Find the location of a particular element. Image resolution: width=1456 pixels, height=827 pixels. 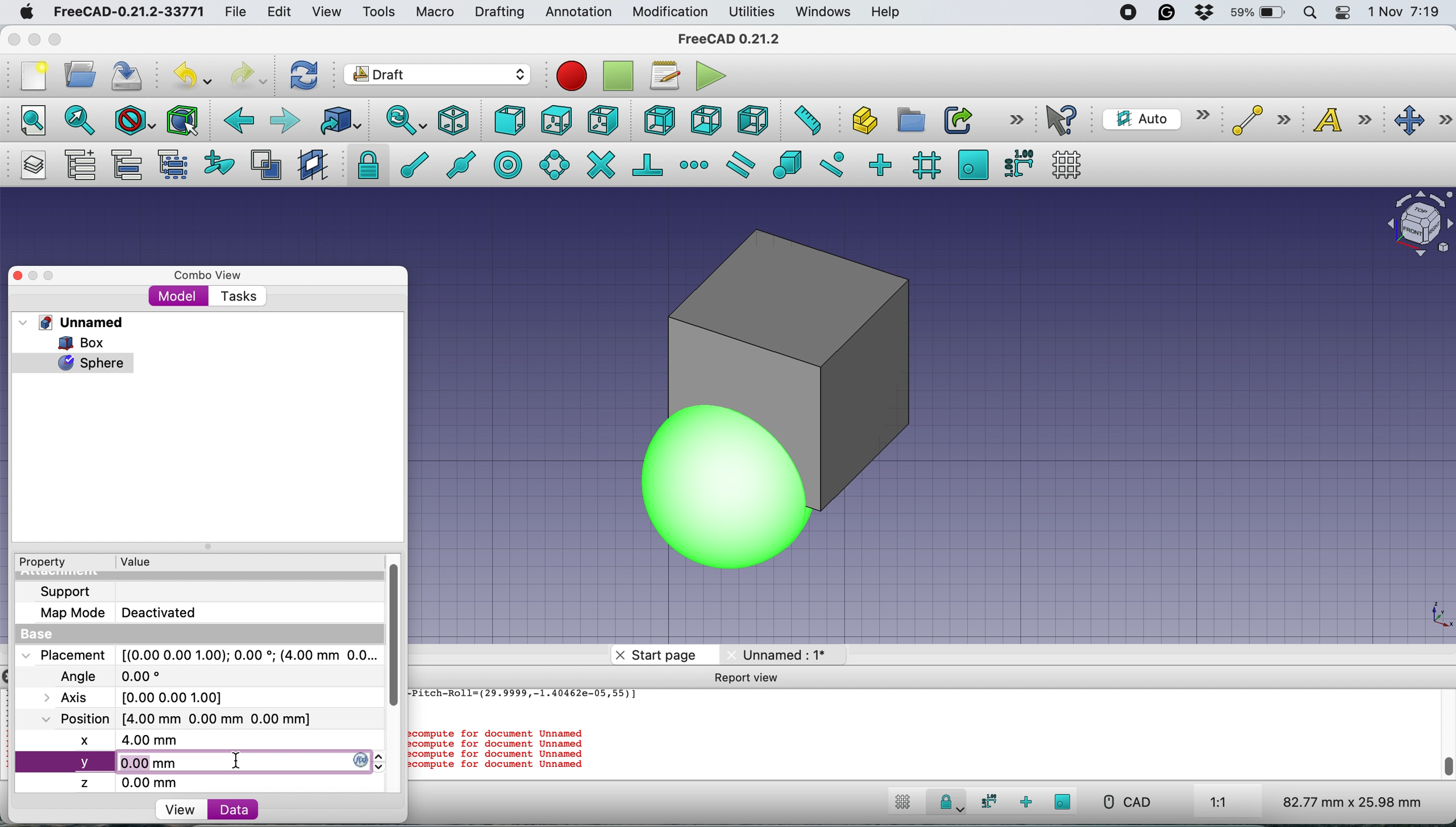

create group is located at coordinates (909, 120).